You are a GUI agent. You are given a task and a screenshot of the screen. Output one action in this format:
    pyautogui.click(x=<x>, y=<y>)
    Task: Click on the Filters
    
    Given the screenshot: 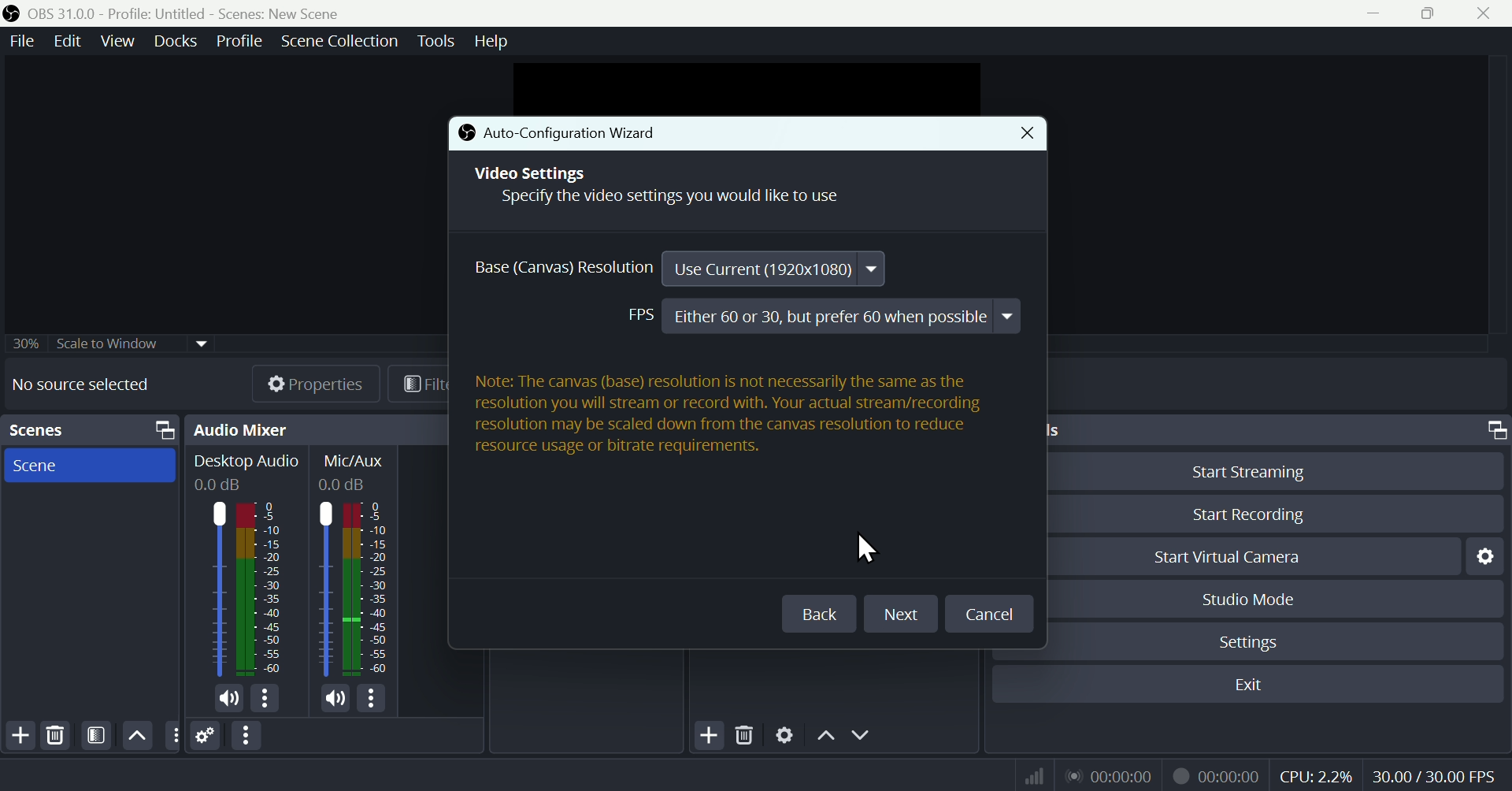 What is the action you would take?
    pyautogui.click(x=419, y=383)
    